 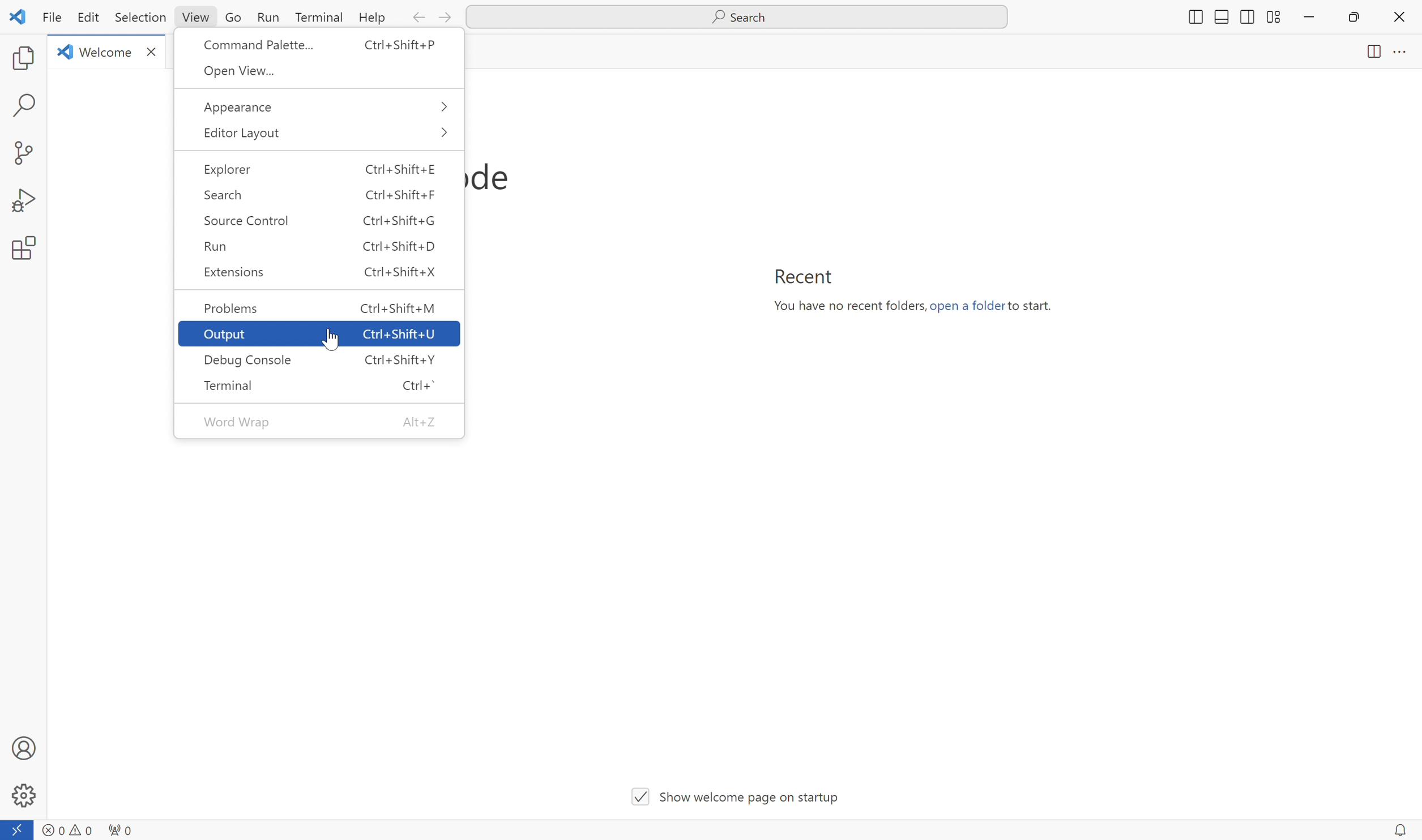 What do you see at coordinates (445, 19) in the screenshot?
I see `forward` at bounding box center [445, 19].